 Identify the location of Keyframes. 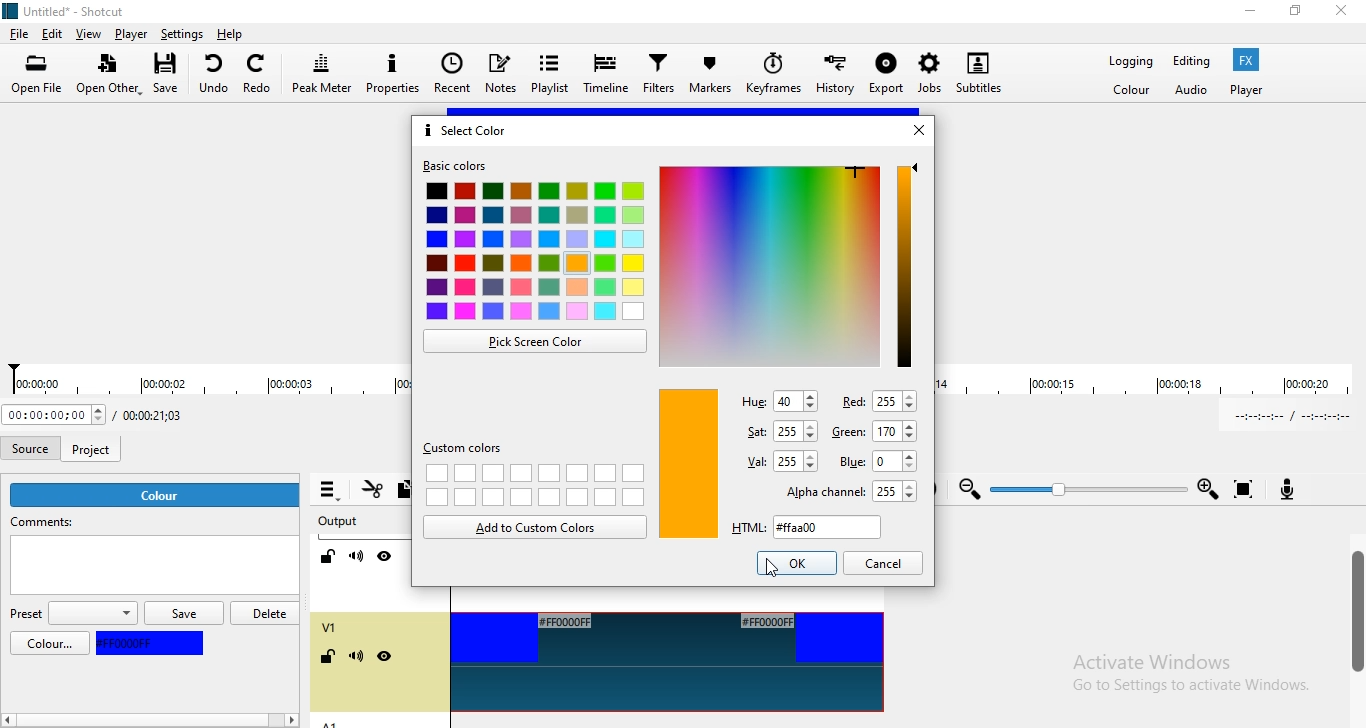
(774, 78).